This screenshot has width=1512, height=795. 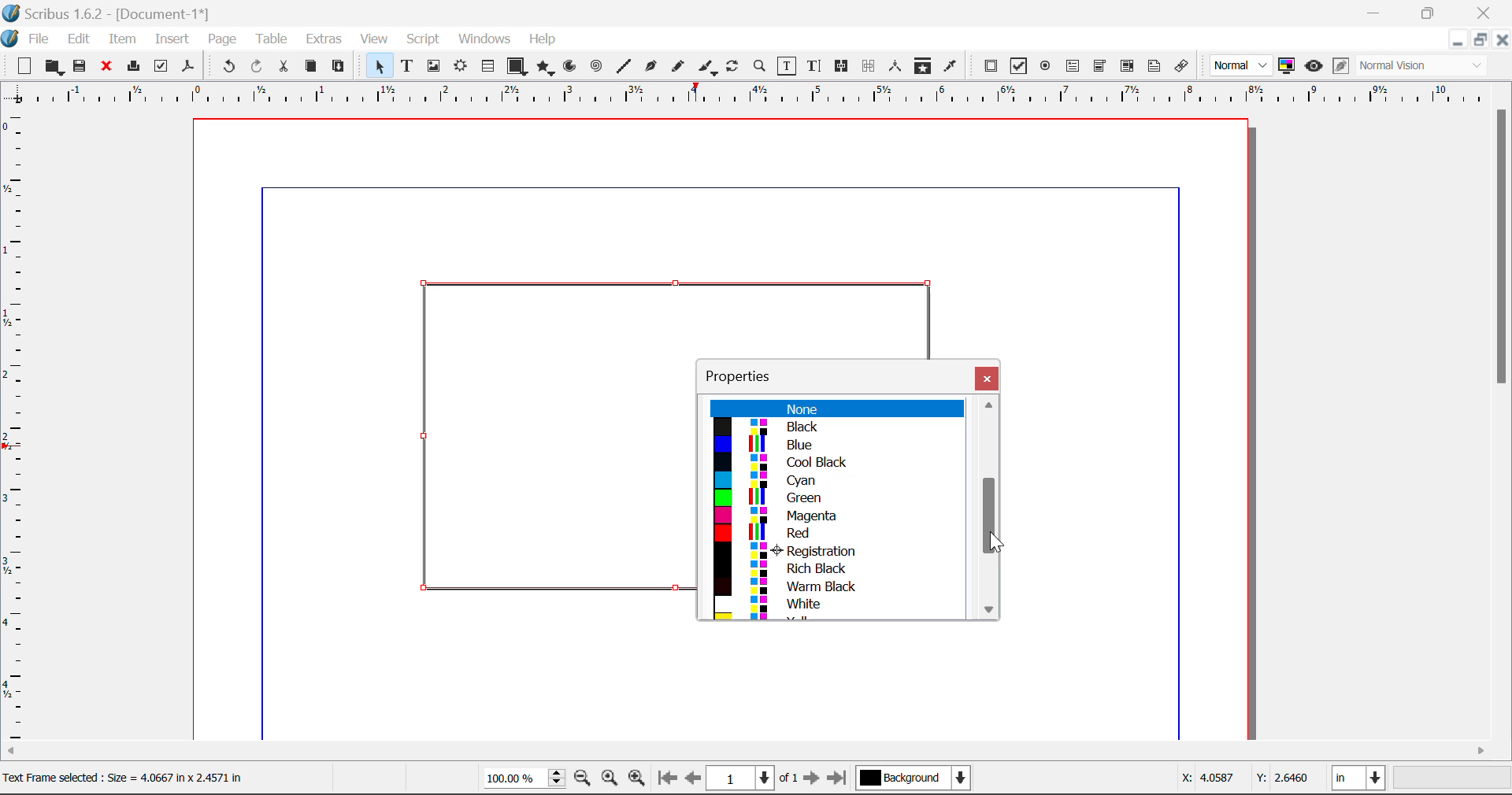 I want to click on Measurements, so click(x=898, y=66).